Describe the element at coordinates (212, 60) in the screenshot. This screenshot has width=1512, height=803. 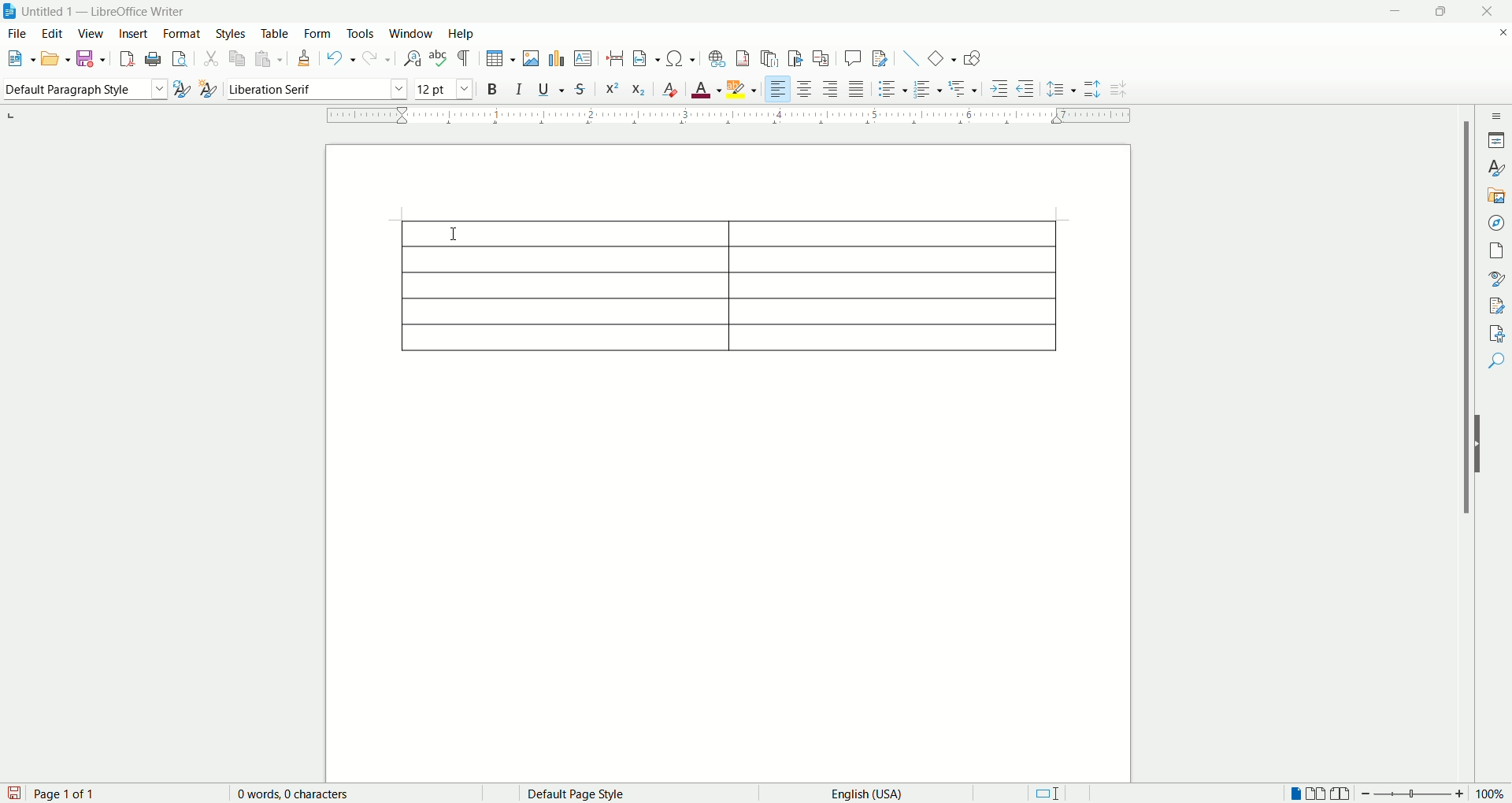
I see `cut` at that location.